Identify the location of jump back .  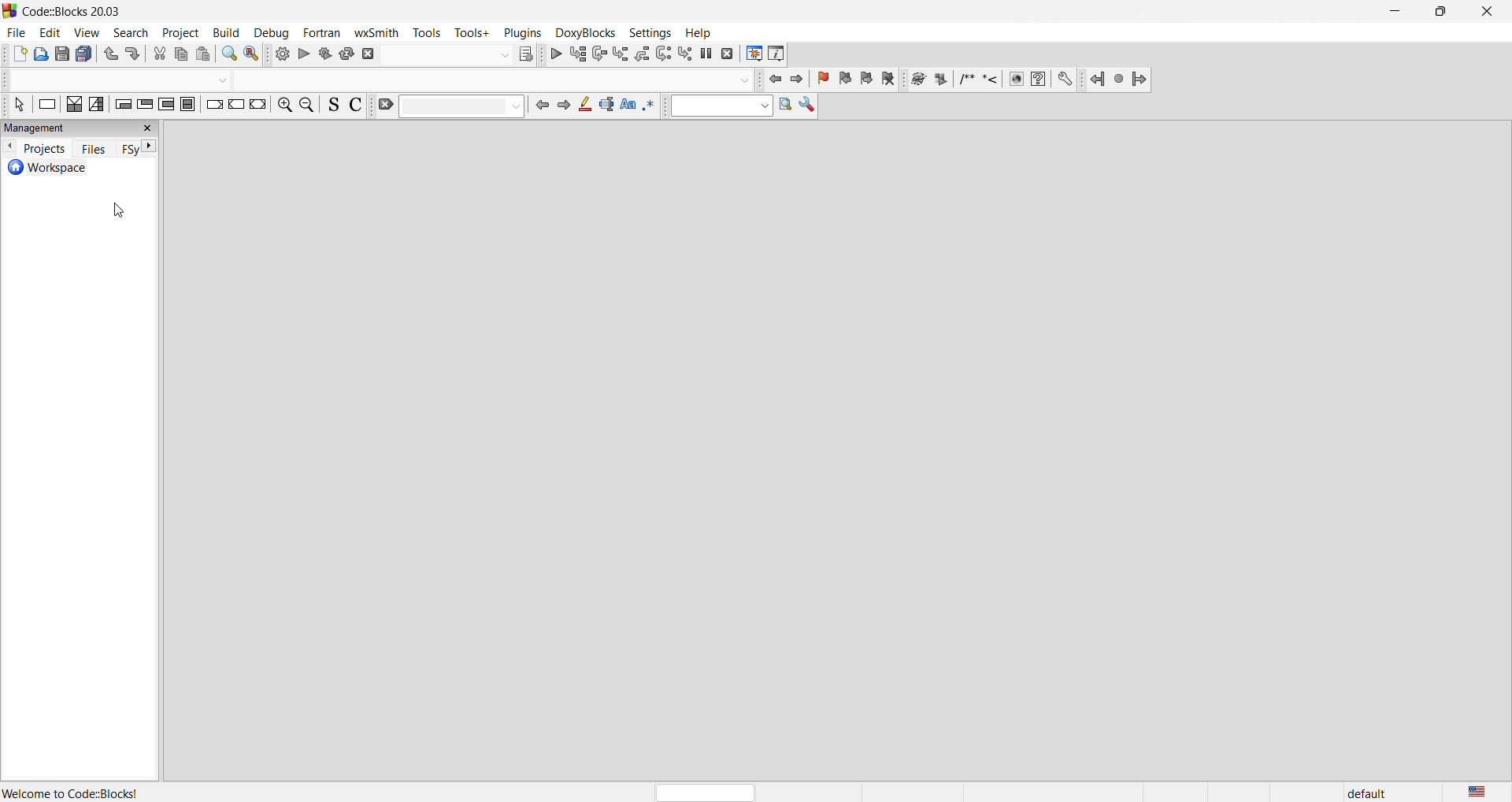
(774, 79).